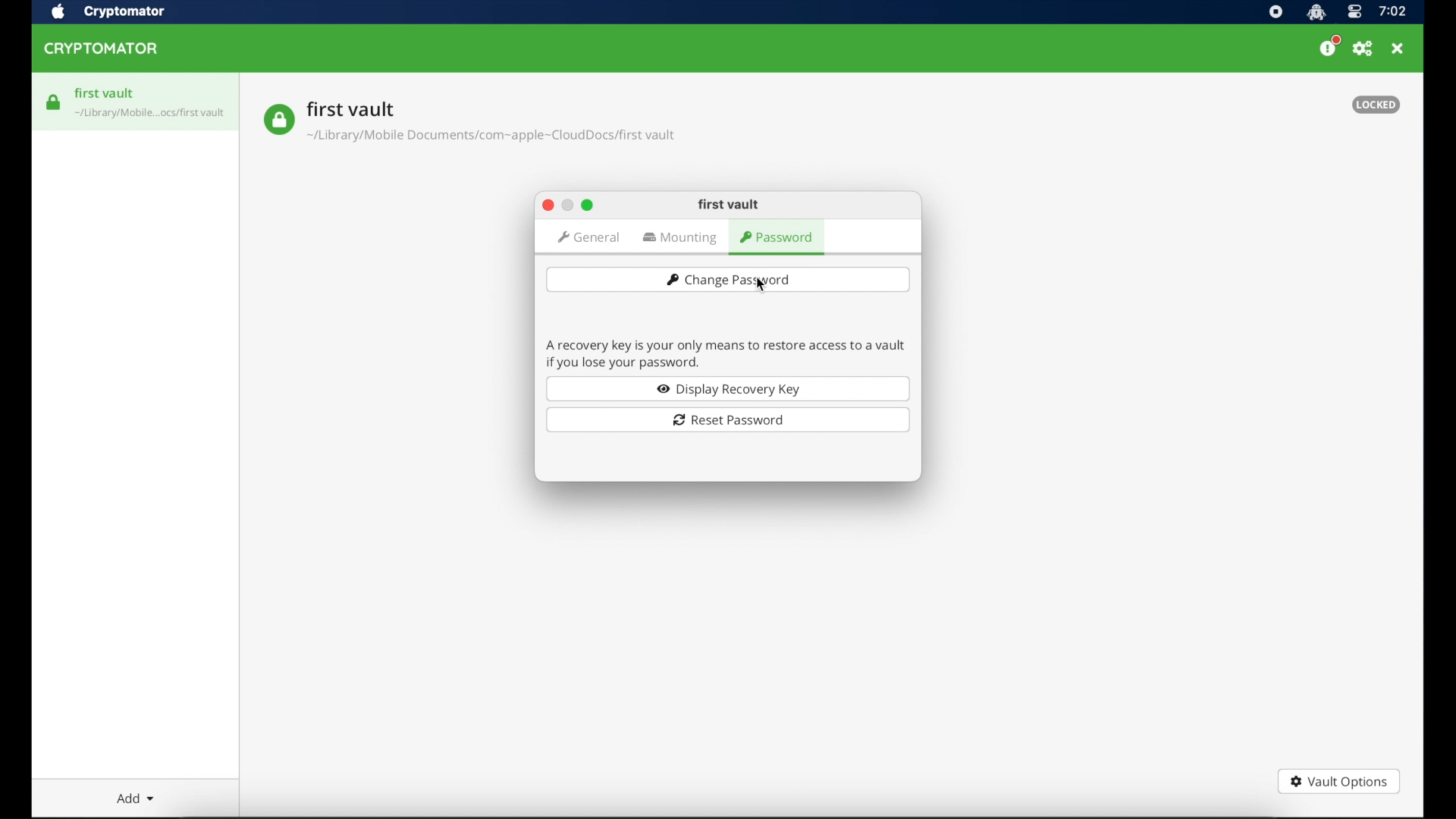 This screenshot has height=819, width=1456. What do you see at coordinates (1329, 46) in the screenshot?
I see `please consider donating` at bounding box center [1329, 46].